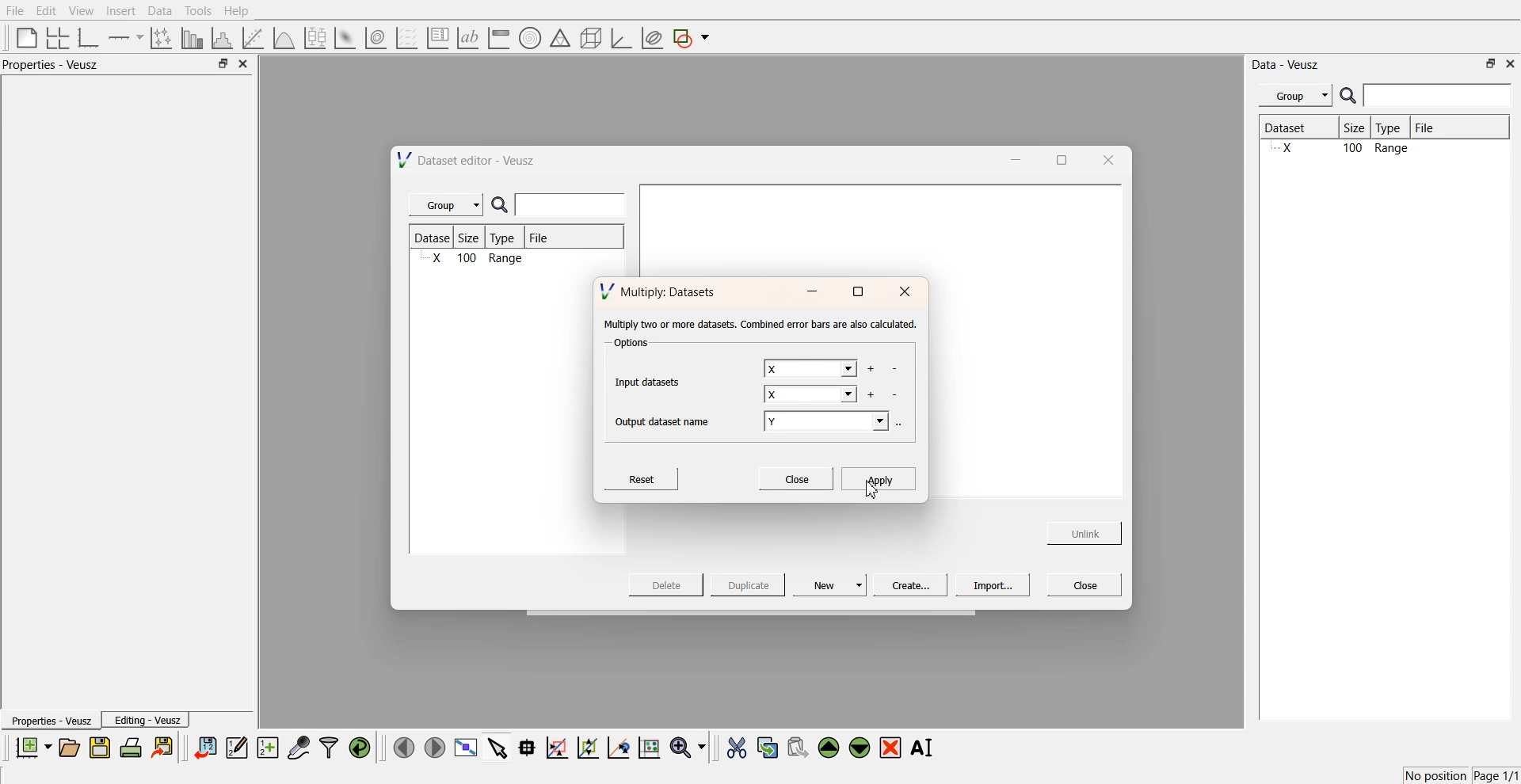 The image size is (1521, 784). What do you see at coordinates (375, 39) in the screenshot?
I see `plot a 2d data set as contour` at bounding box center [375, 39].